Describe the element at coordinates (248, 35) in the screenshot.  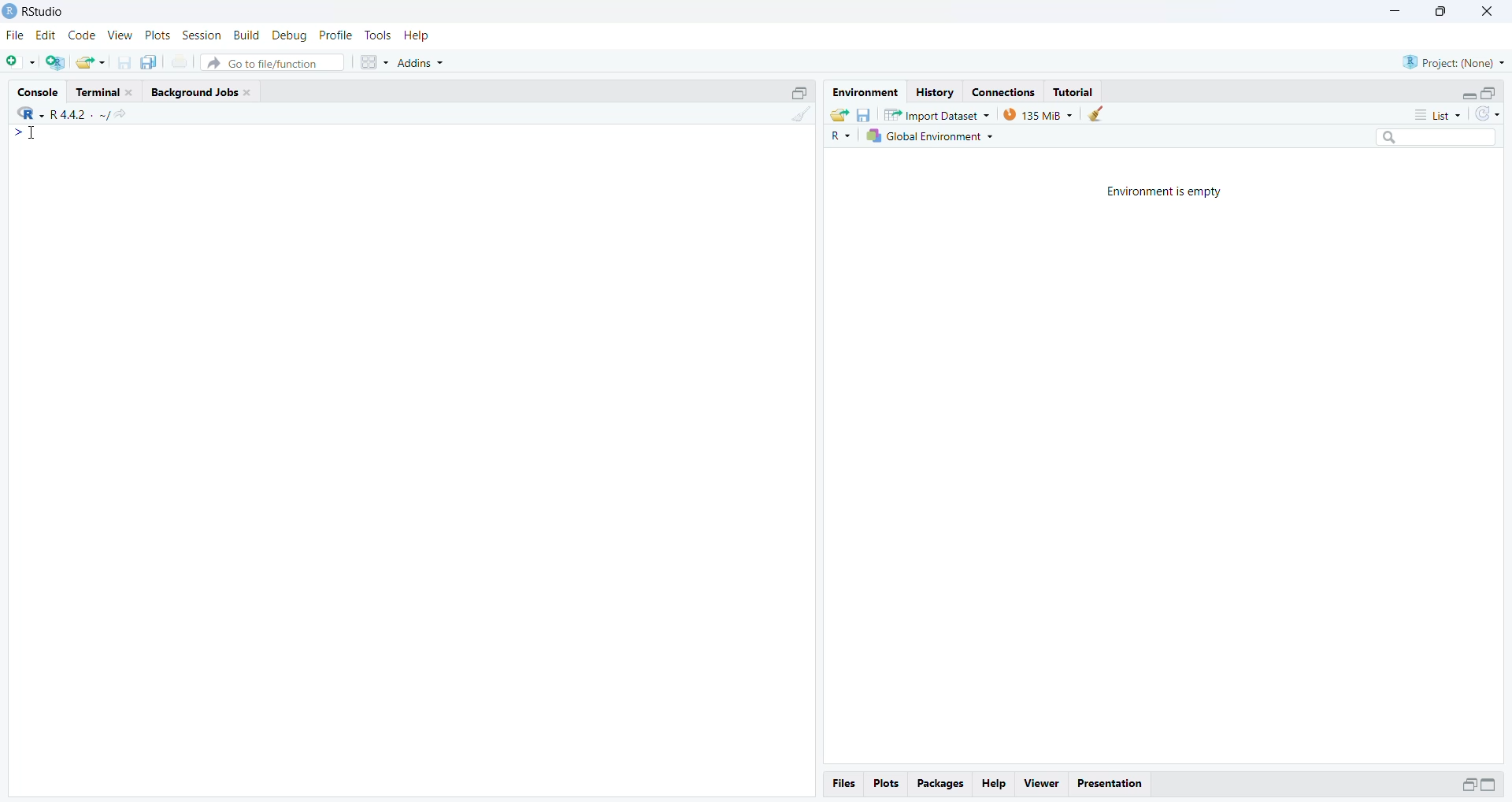
I see `Build` at that location.